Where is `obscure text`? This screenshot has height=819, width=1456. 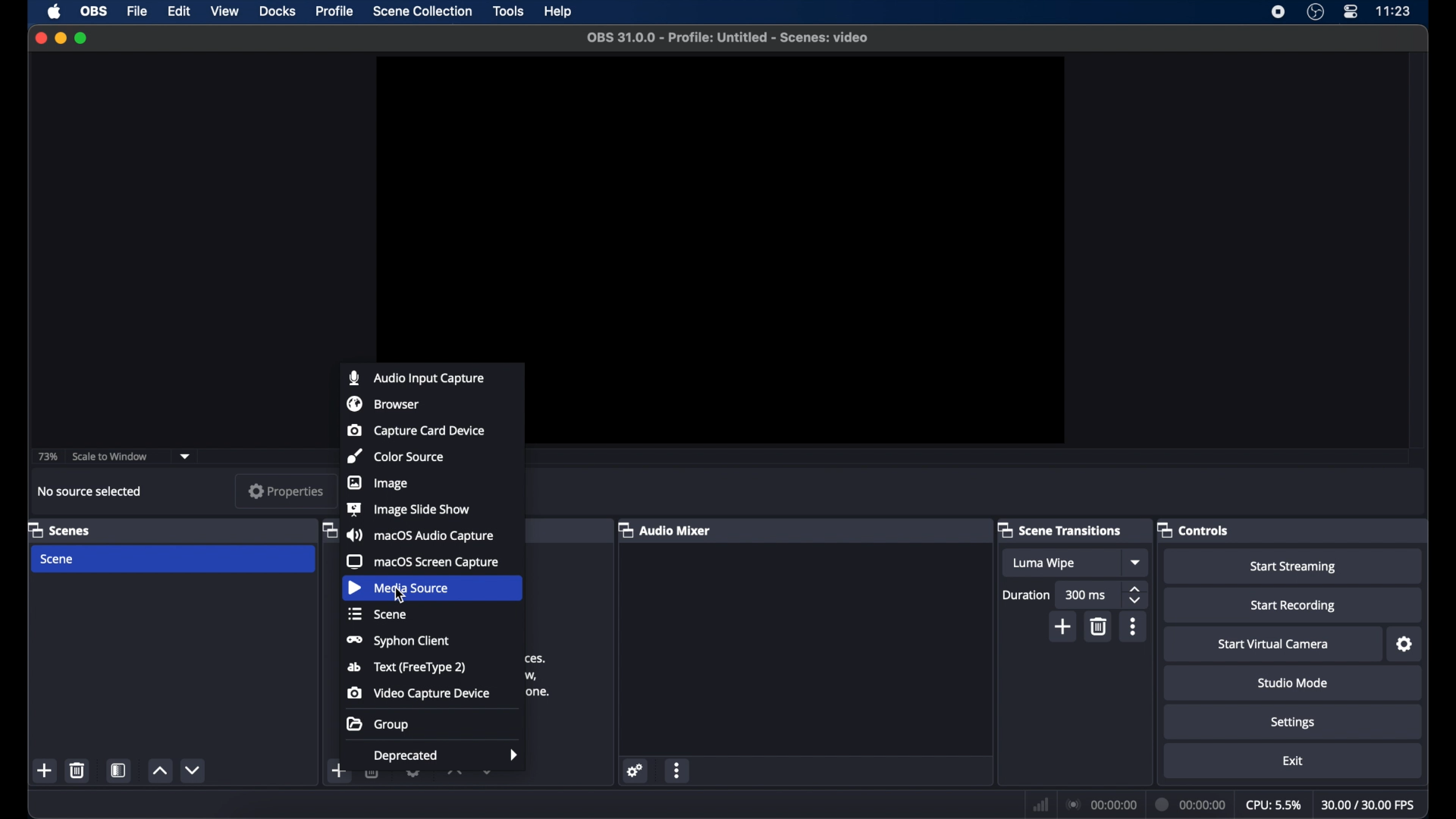
obscure text is located at coordinates (538, 675).